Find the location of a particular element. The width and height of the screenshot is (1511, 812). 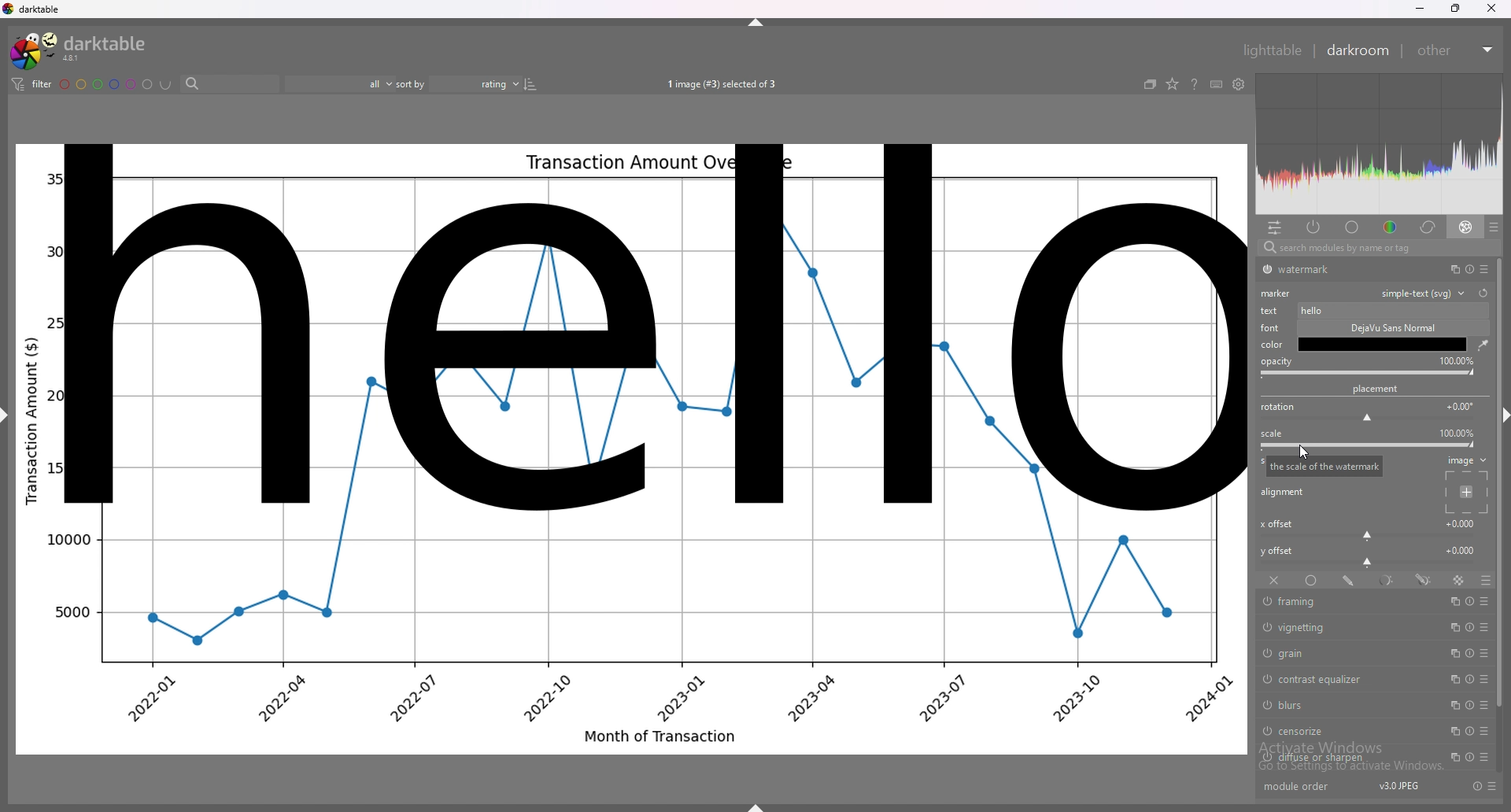

presets is located at coordinates (1492, 786).